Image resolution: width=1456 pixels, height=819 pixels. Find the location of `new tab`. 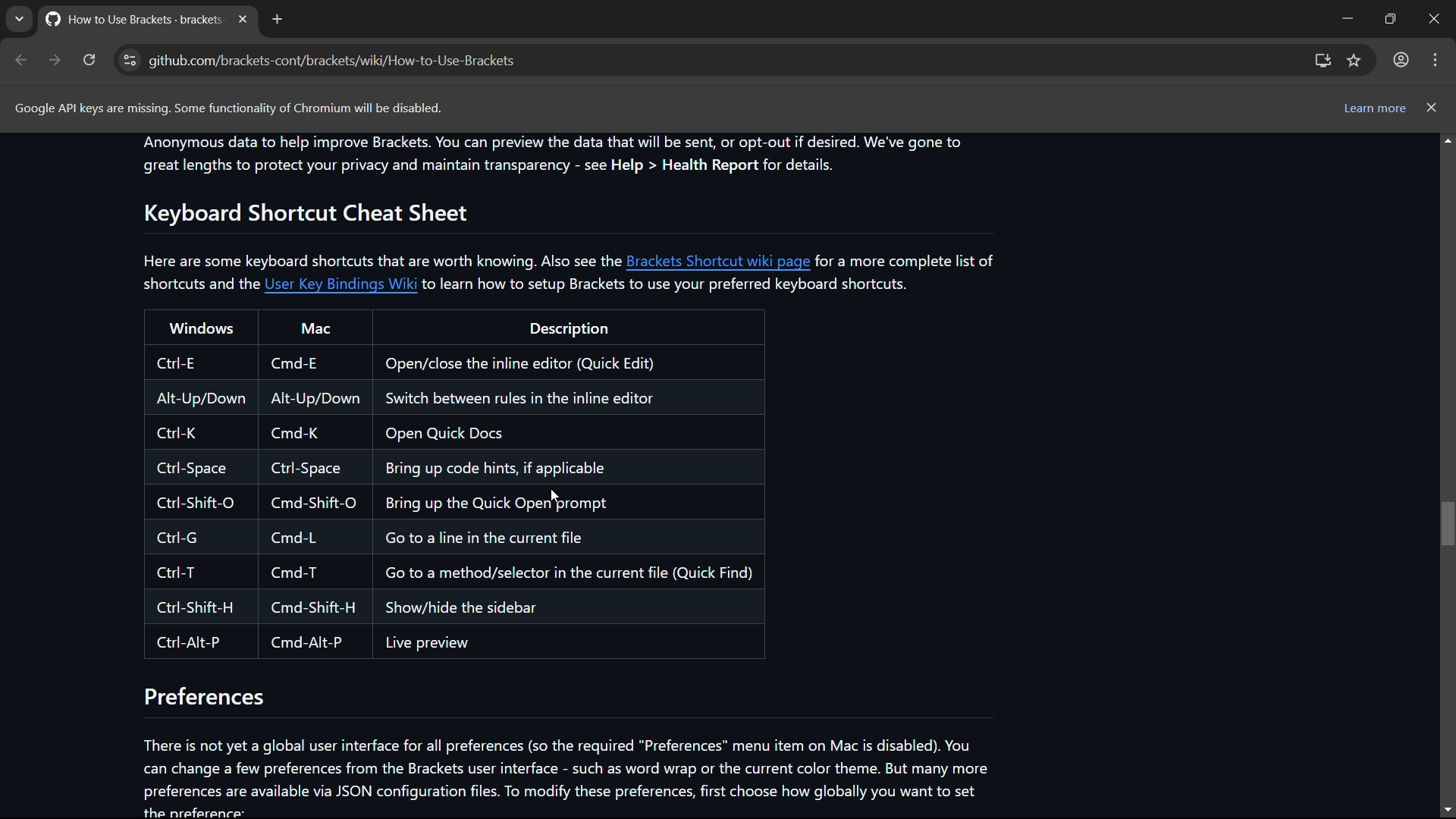

new tab is located at coordinates (276, 19).